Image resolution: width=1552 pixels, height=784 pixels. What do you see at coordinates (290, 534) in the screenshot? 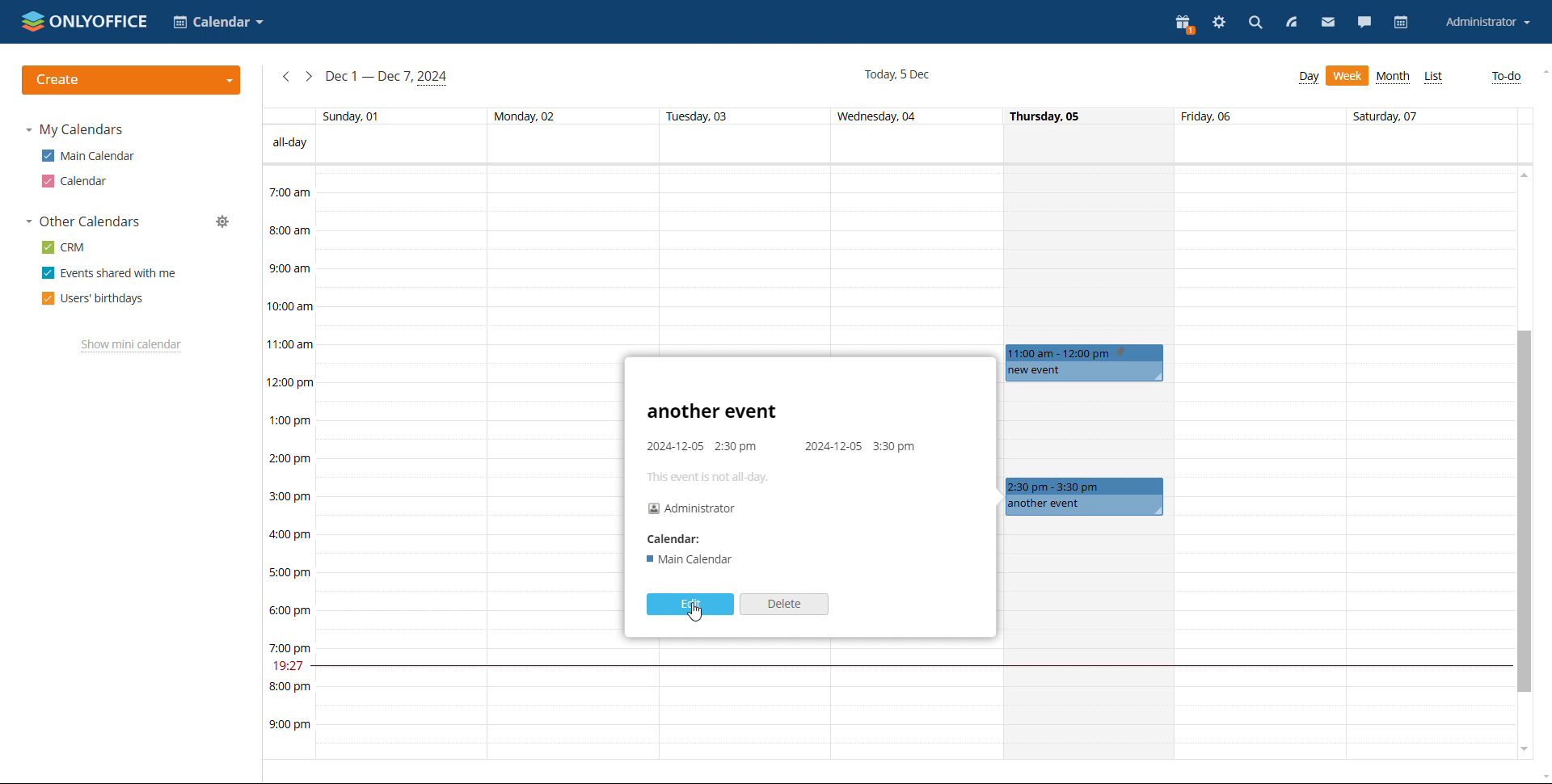
I see `4:00 pm` at bounding box center [290, 534].